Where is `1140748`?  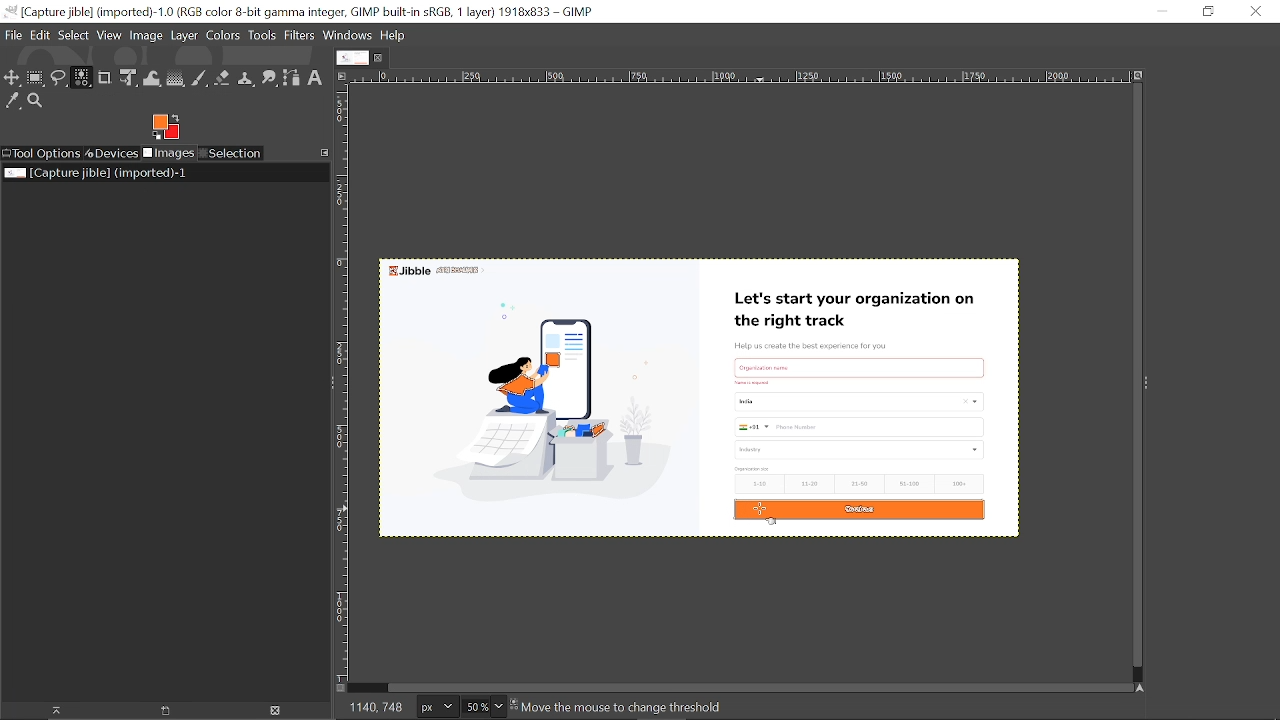
1140748 is located at coordinates (378, 704).